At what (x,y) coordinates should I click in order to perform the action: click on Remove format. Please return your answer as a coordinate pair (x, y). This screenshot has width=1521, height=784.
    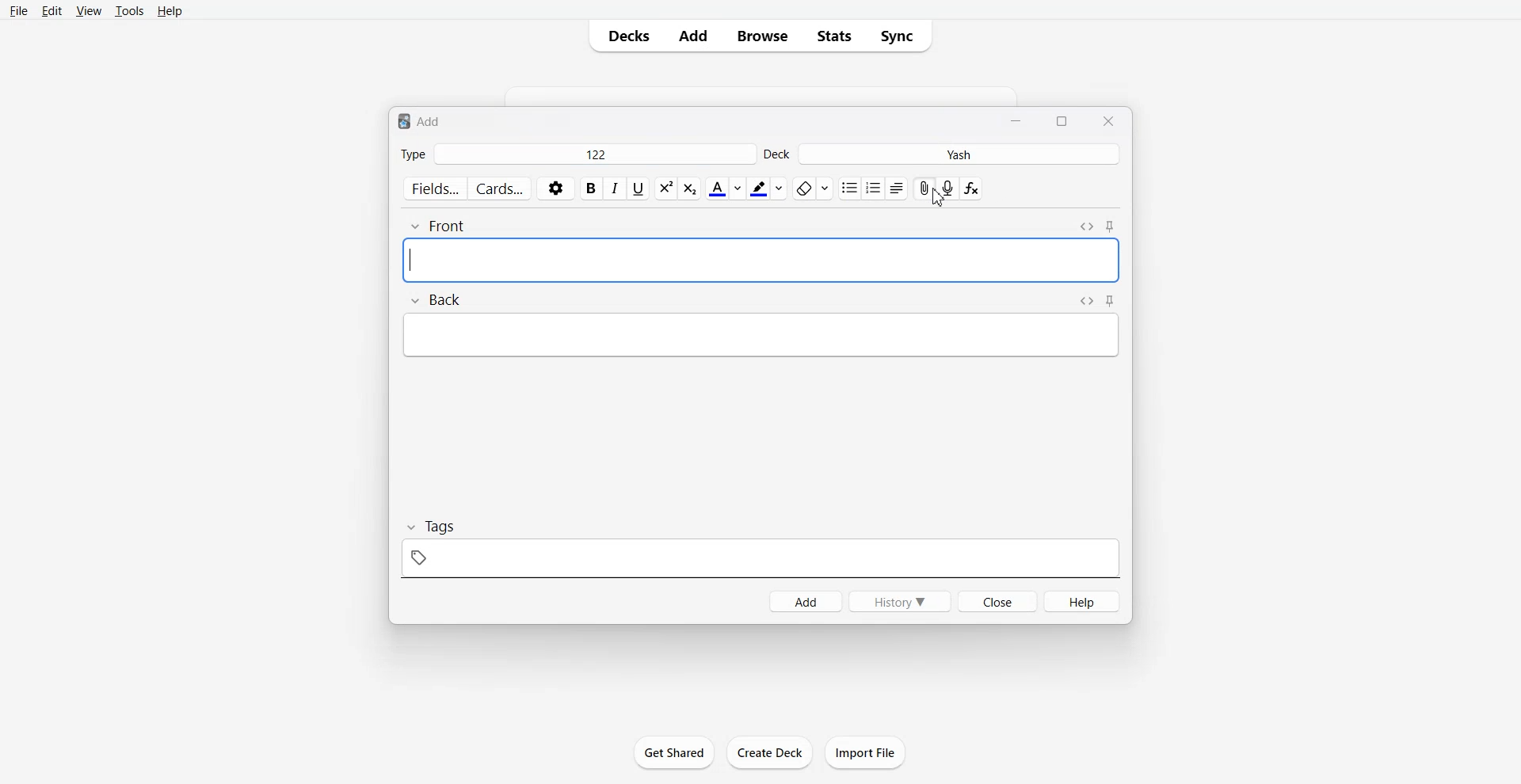
    Looking at the image, I should click on (813, 188).